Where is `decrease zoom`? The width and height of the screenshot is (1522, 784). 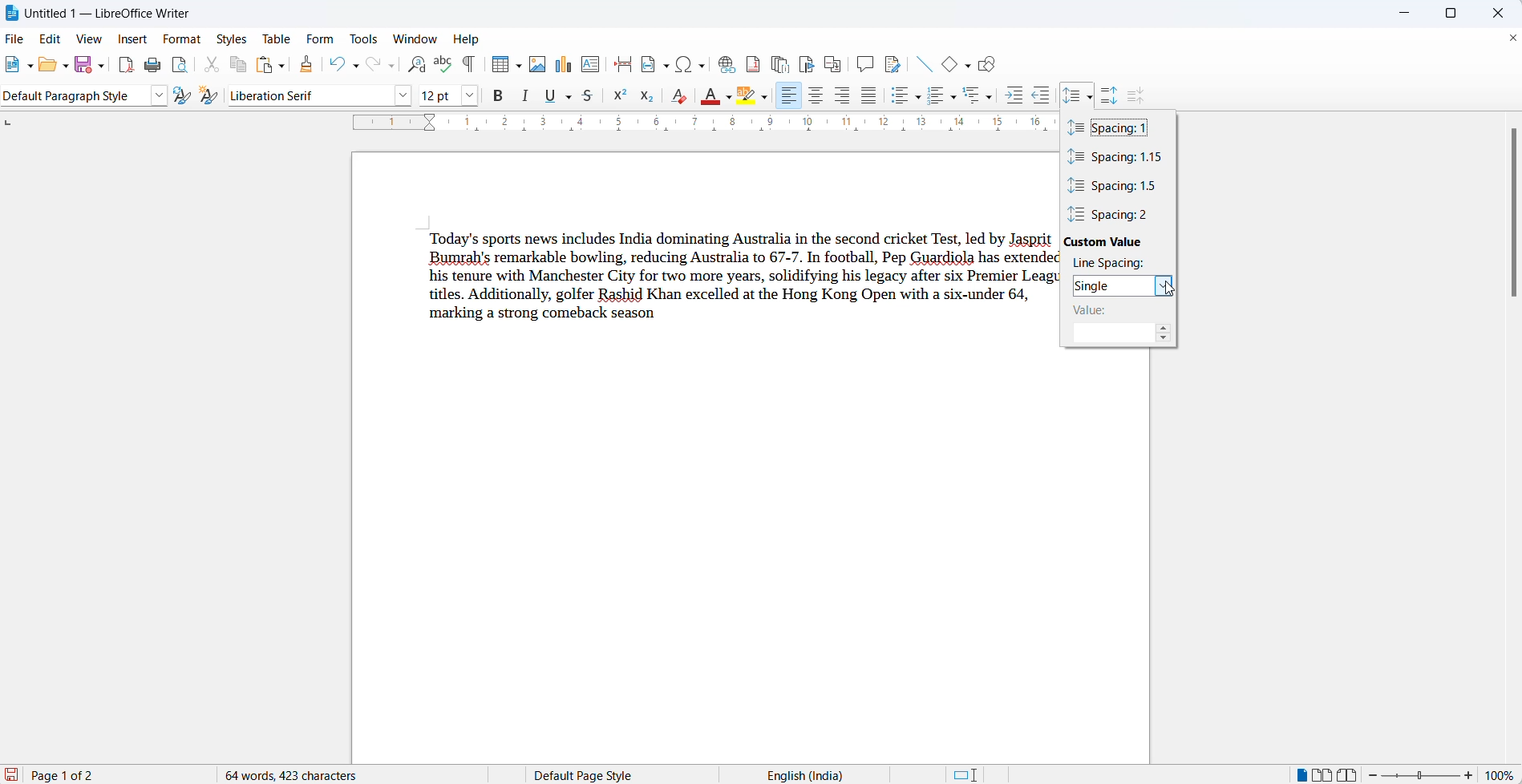
decrease zoom is located at coordinates (1375, 774).